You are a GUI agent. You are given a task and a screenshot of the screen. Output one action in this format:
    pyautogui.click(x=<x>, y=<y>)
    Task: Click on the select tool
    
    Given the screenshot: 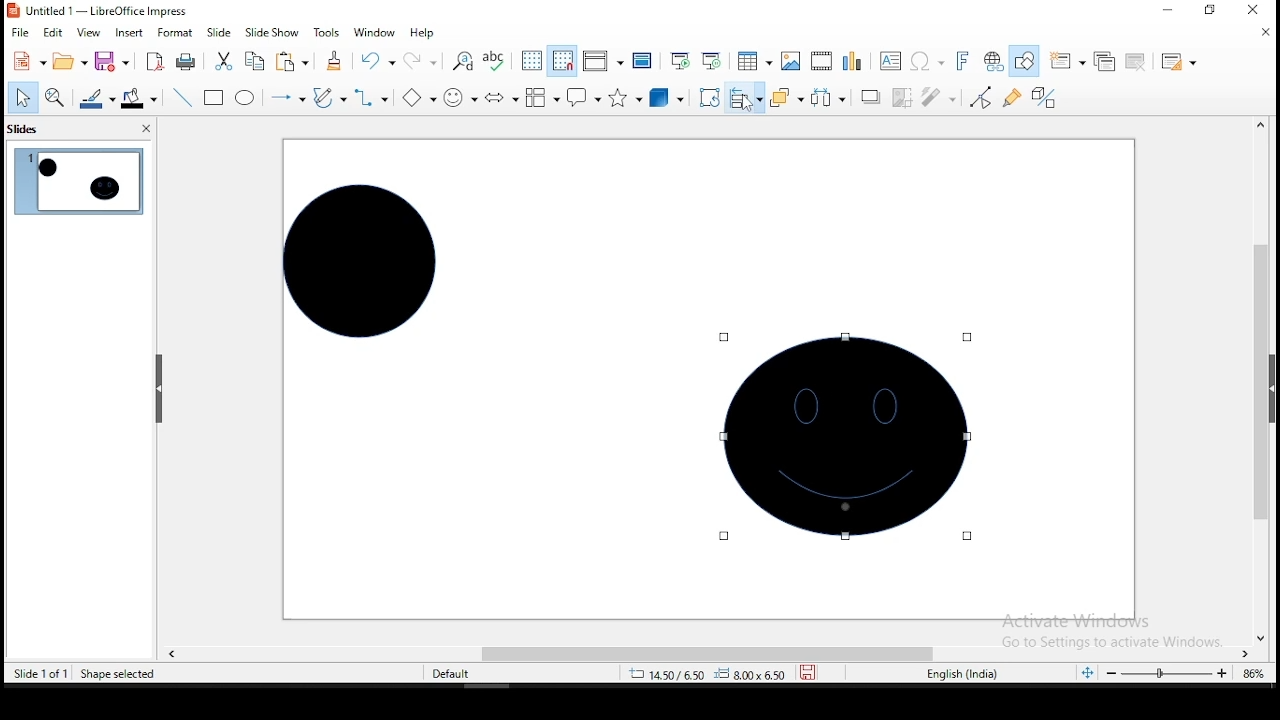 What is the action you would take?
    pyautogui.click(x=23, y=97)
    